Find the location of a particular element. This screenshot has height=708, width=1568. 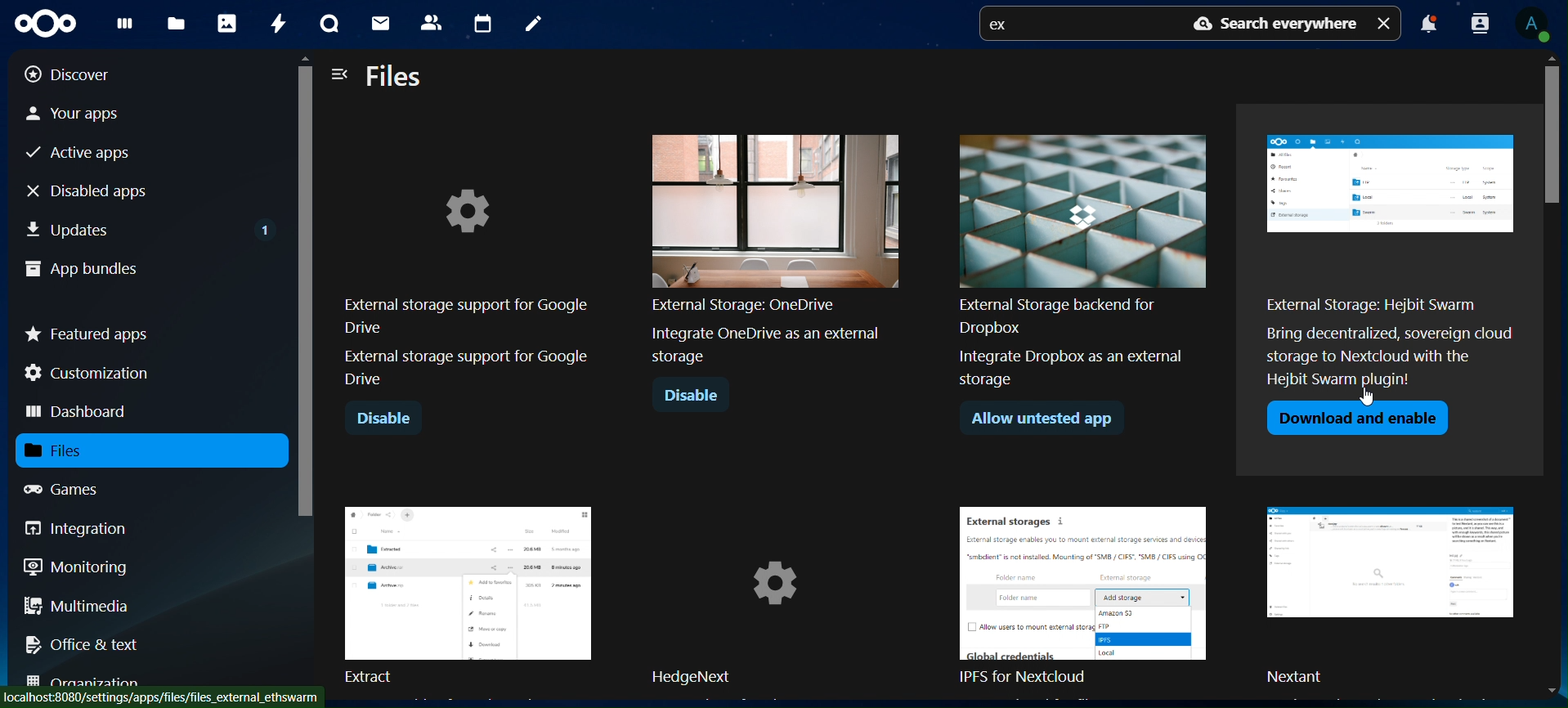

integration is located at coordinates (88, 528).